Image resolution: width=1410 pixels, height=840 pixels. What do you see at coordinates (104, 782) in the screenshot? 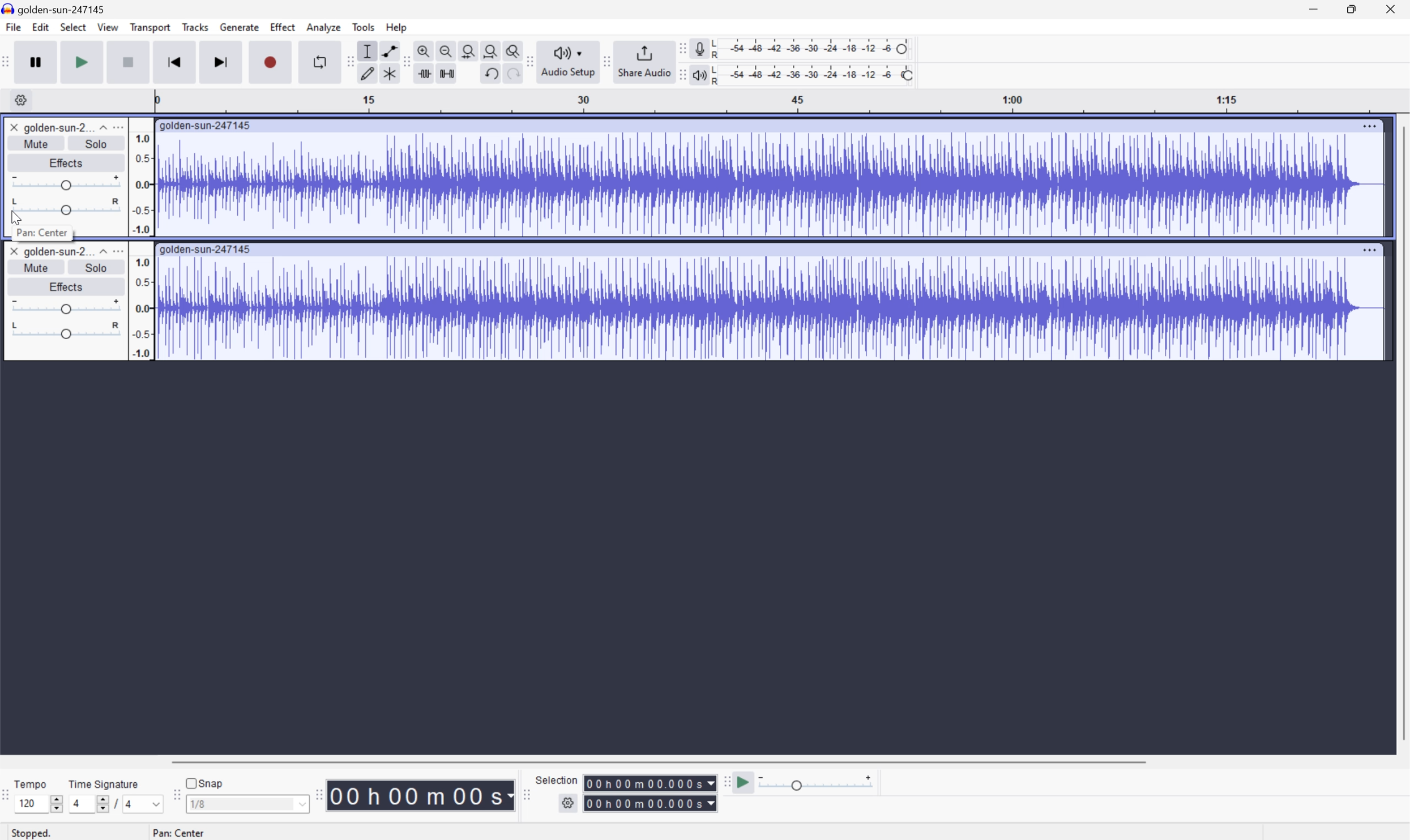
I see `Time signature` at bounding box center [104, 782].